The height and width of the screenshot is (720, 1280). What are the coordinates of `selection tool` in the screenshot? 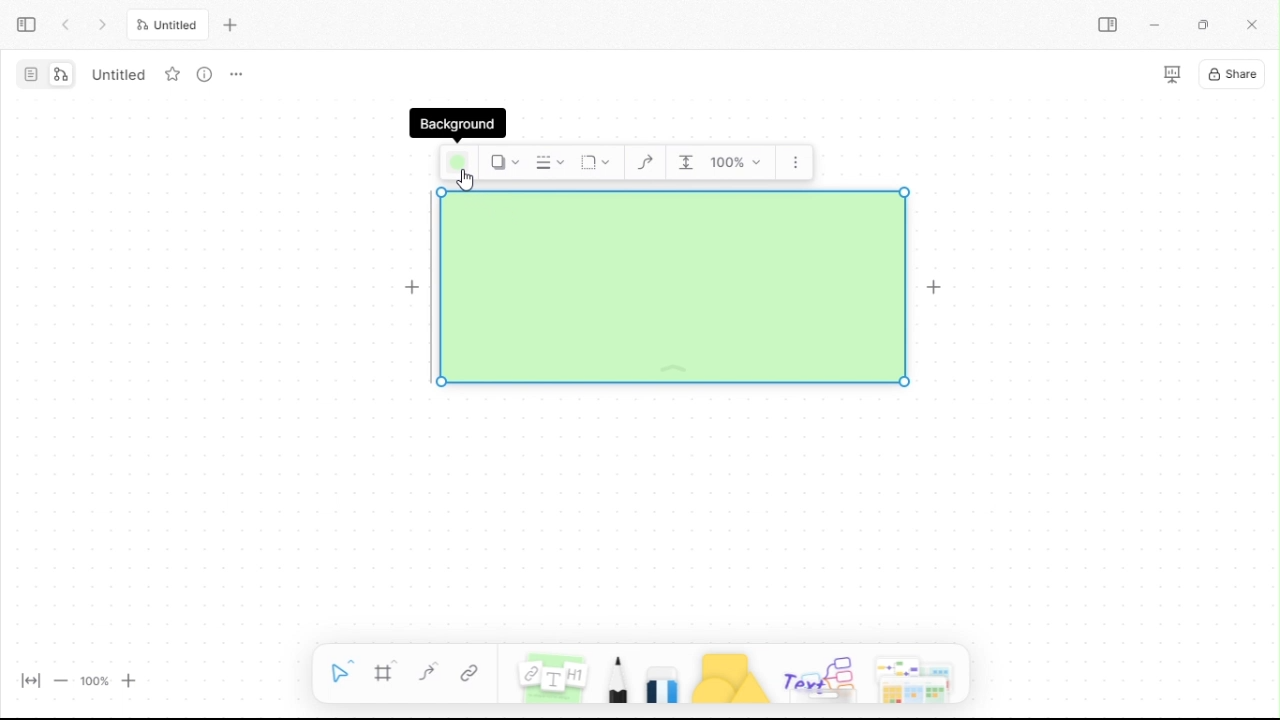 It's located at (339, 675).